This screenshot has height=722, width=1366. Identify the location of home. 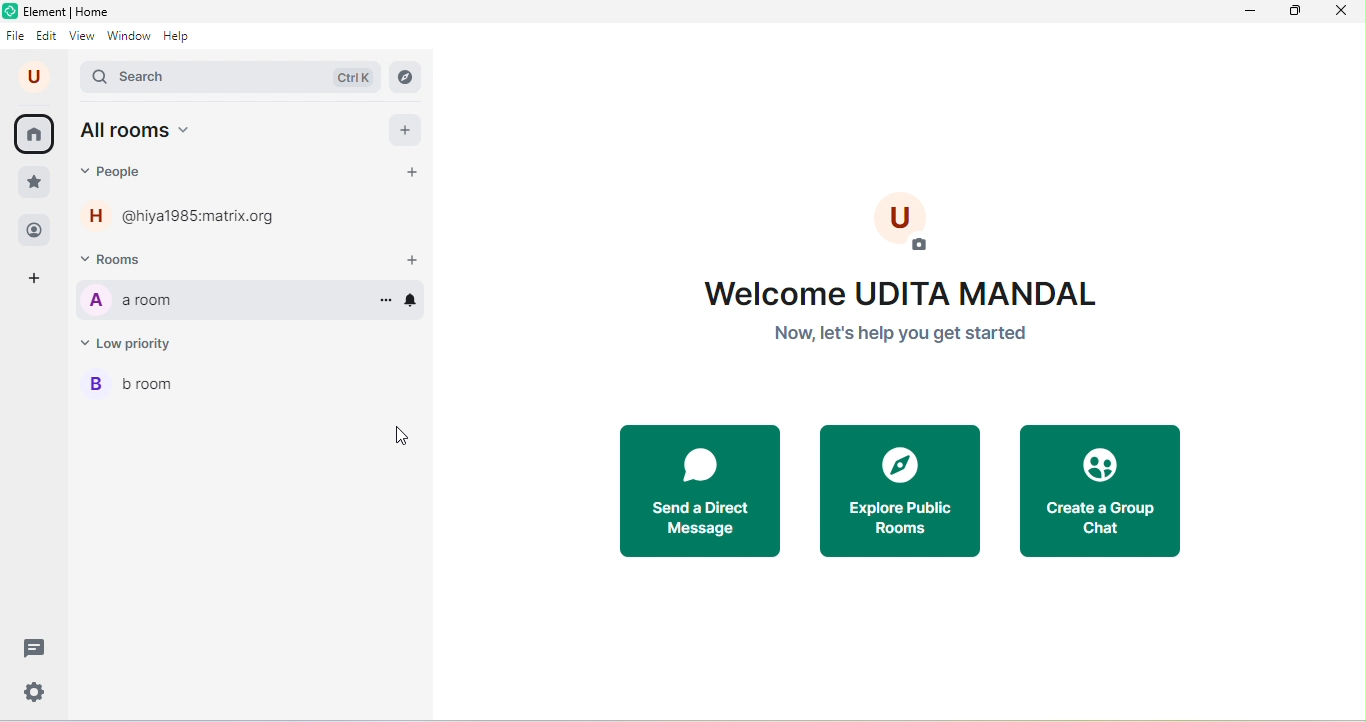
(33, 133).